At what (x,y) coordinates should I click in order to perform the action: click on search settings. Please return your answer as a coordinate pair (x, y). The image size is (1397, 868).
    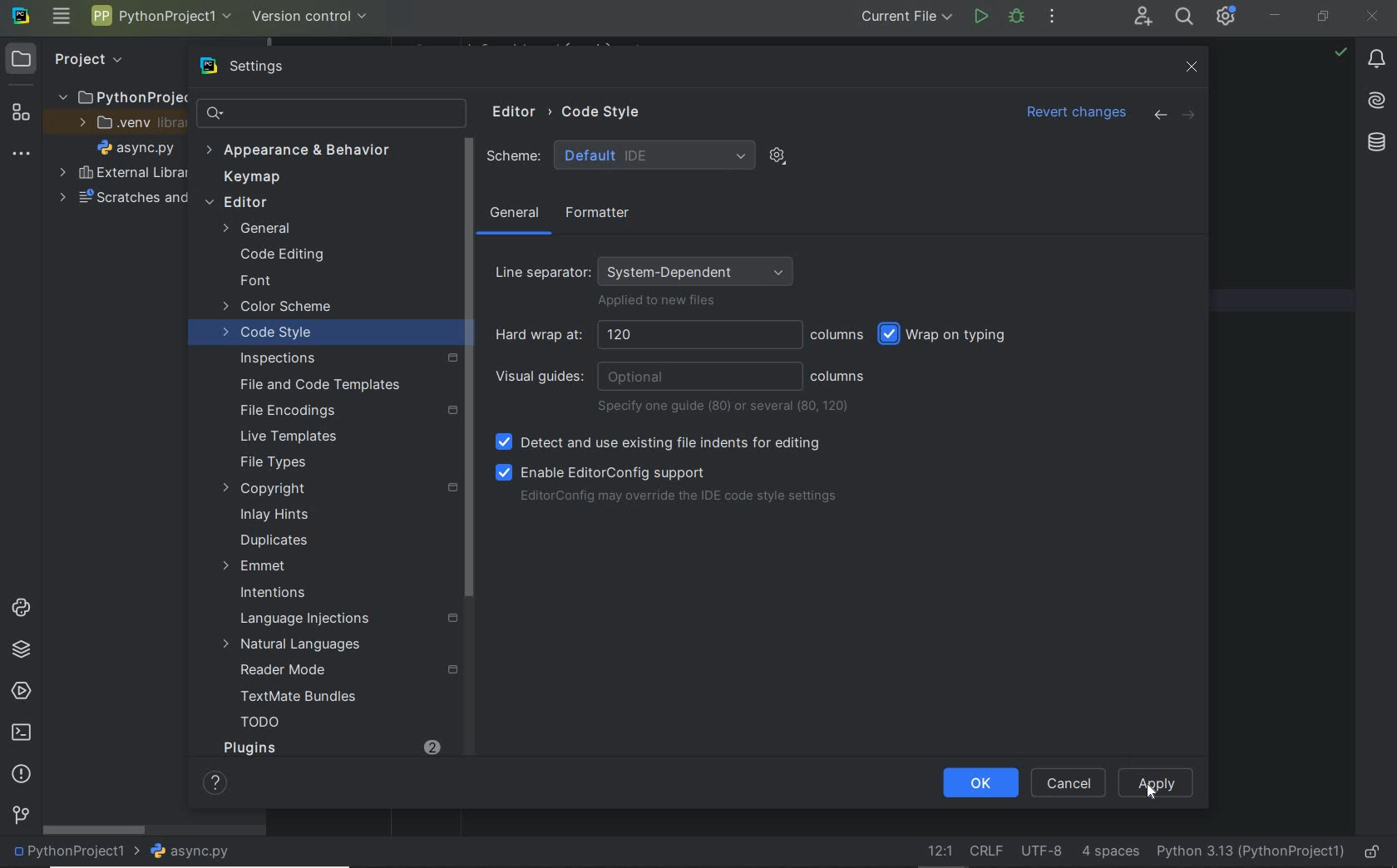
    Looking at the image, I should click on (318, 113).